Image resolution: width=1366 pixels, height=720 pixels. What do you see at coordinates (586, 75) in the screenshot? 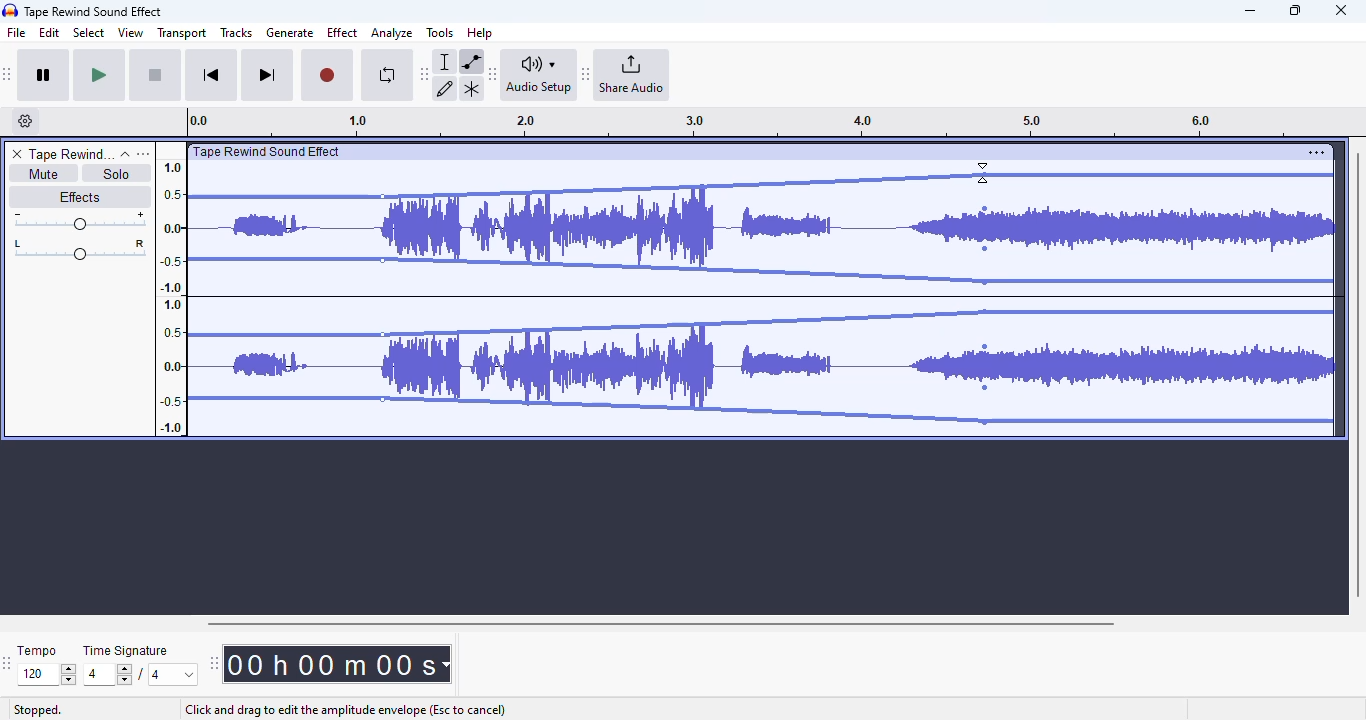
I see `Move audacity share audio toolbar` at bounding box center [586, 75].